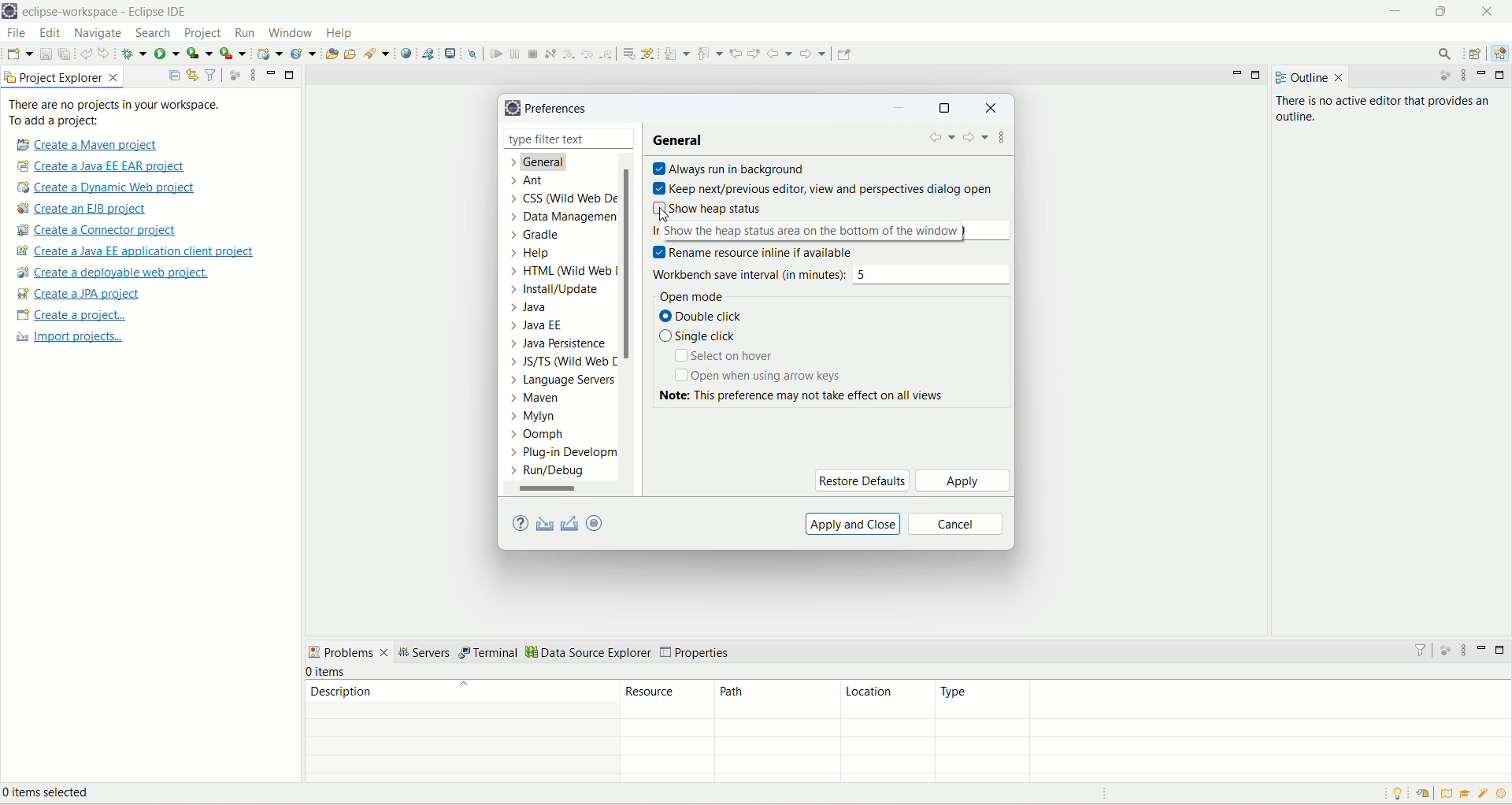  What do you see at coordinates (764, 252) in the screenshot?
I see `rename resource inline if available` at bounding box center [764, 252].